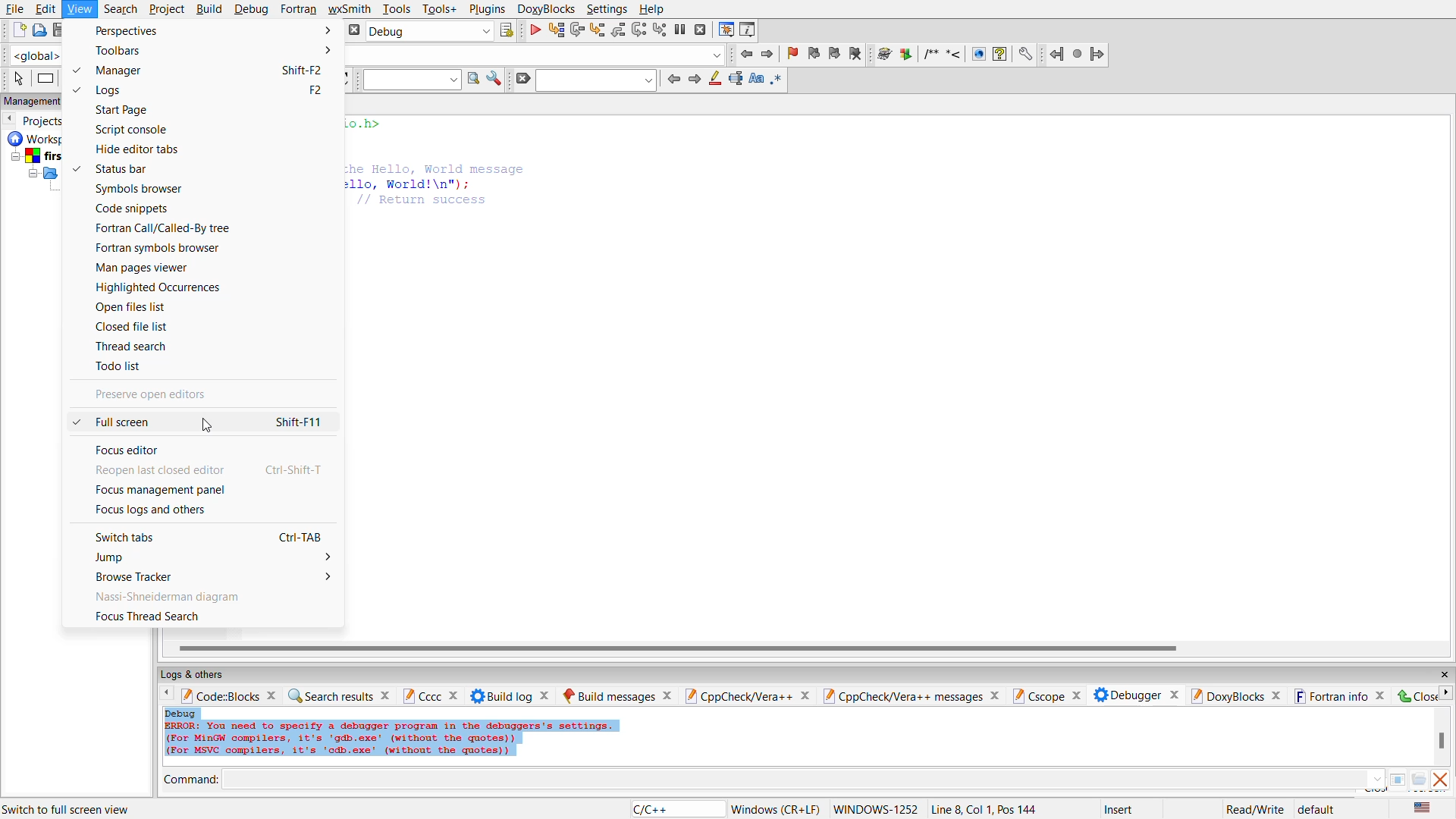 The width and height of the screenshot is (1456, 819). Describe the element at coordinates (213, 71) in the screenshot. I see `manager` at that location.